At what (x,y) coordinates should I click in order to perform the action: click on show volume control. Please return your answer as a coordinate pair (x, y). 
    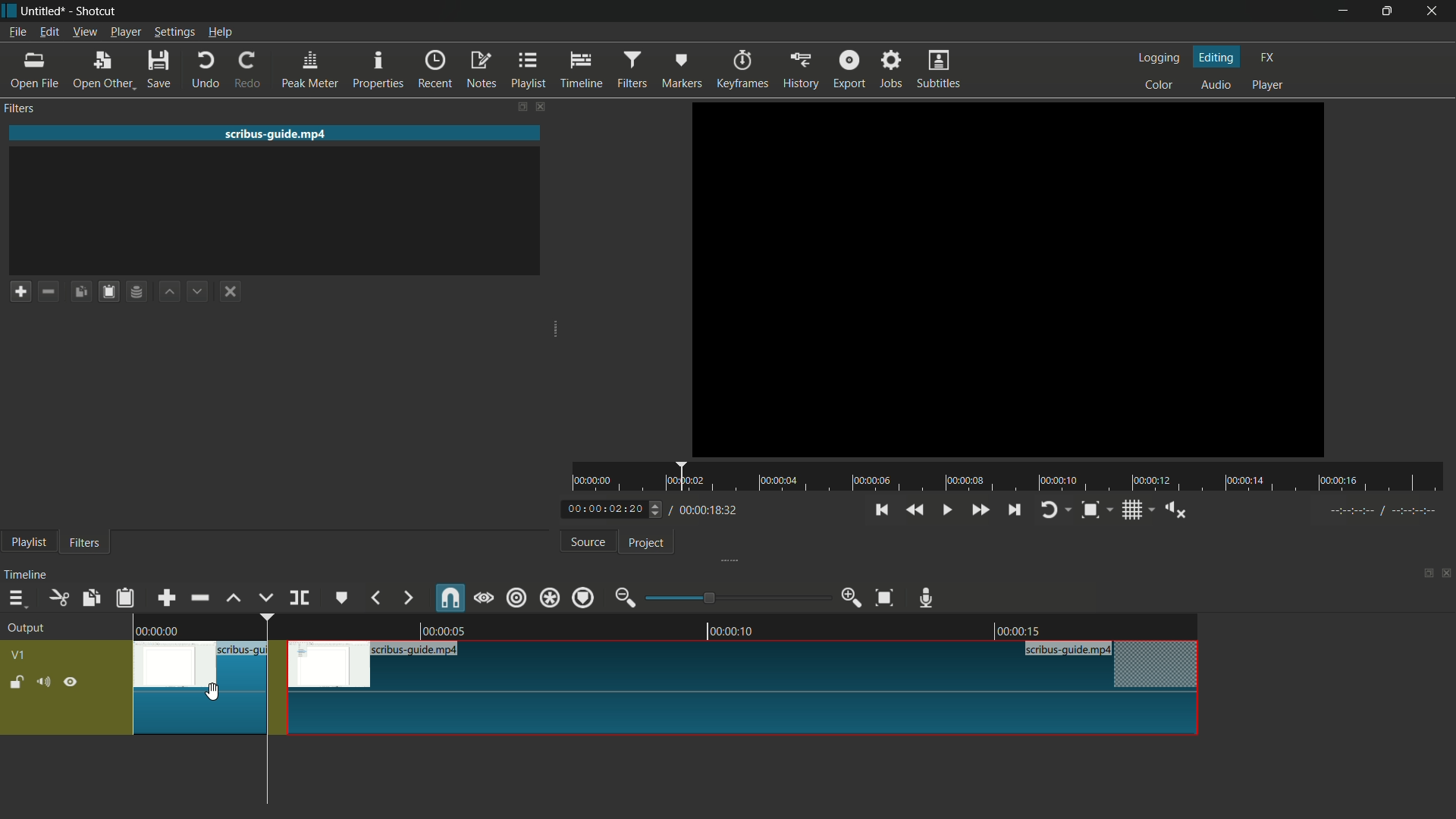
    Looking at the image, I should click on (1175, 510).